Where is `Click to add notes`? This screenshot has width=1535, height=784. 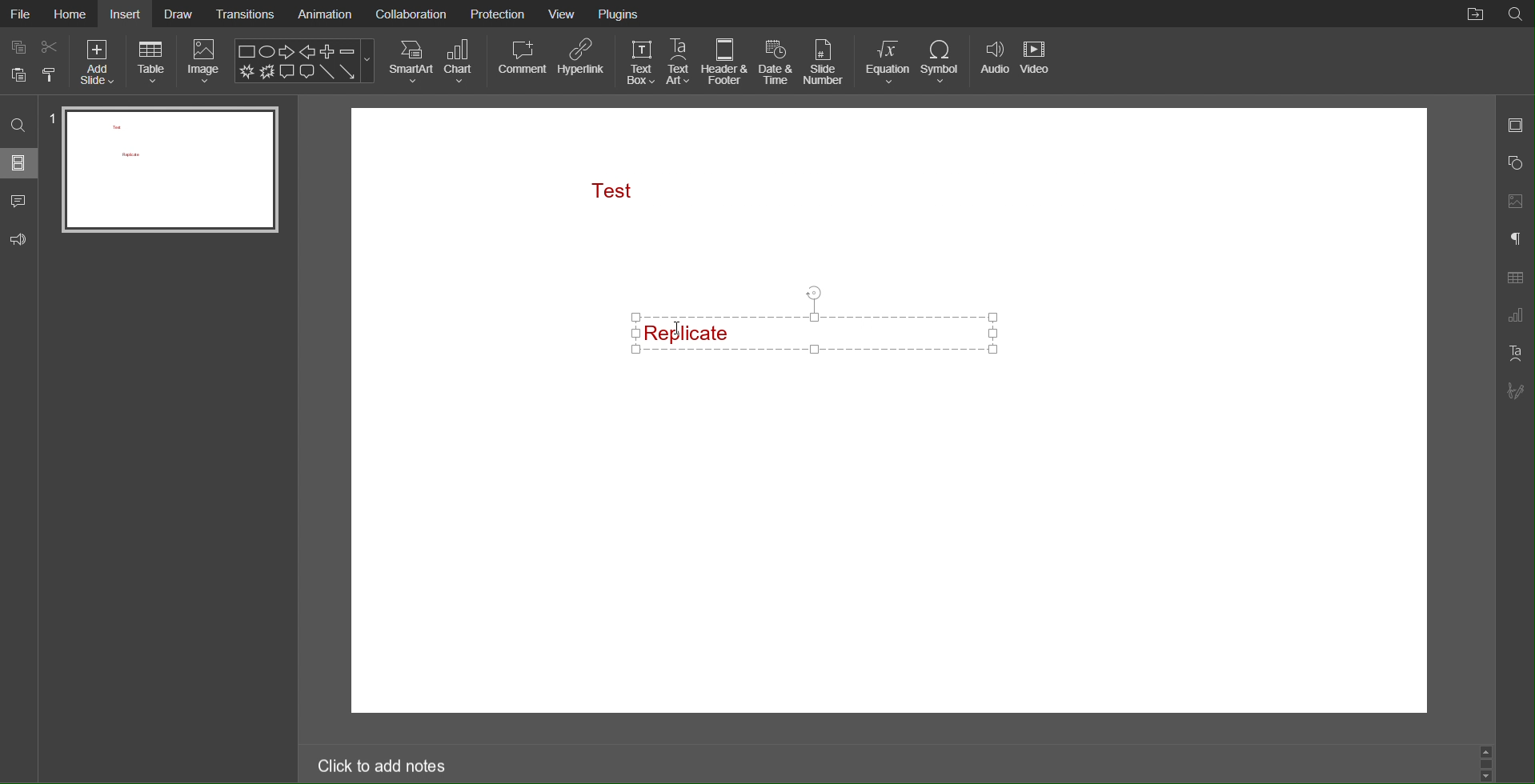 Click to add notes is located at coordinates (380, 767).